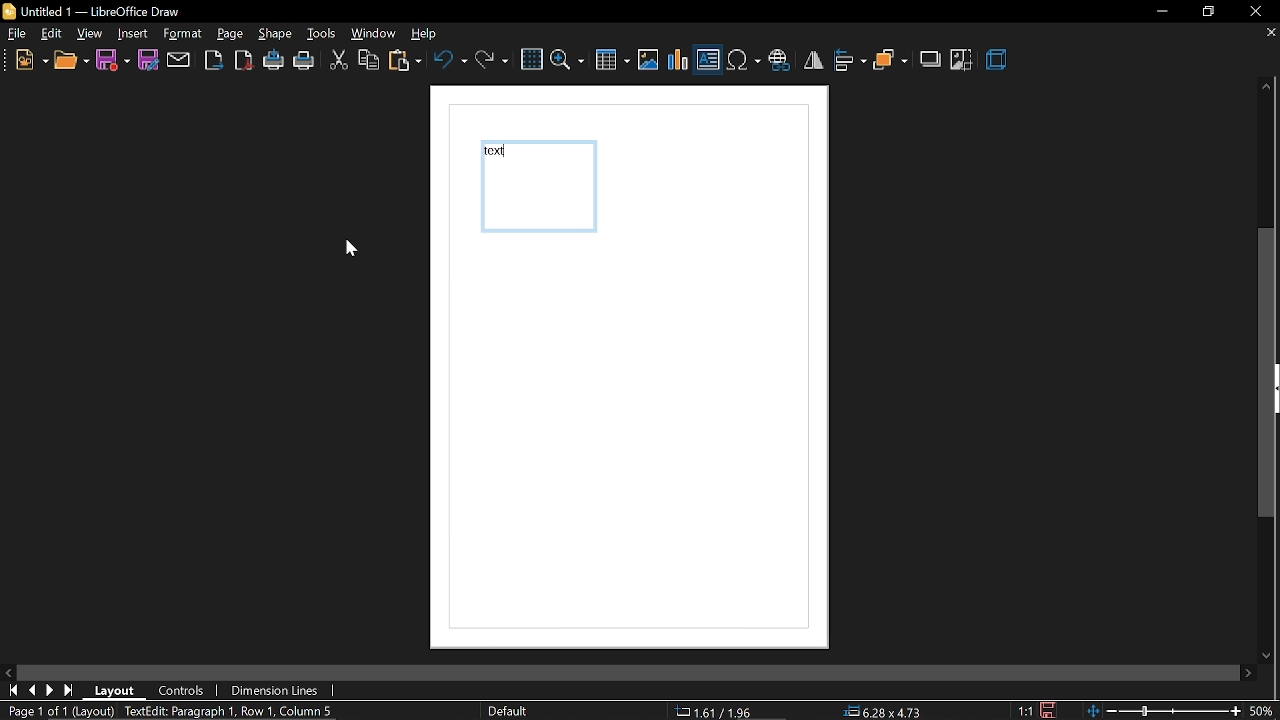 The image size is (1280, 720). Describe the element at coordinates (71, 63) in the screenshot. I see `open` at that location.